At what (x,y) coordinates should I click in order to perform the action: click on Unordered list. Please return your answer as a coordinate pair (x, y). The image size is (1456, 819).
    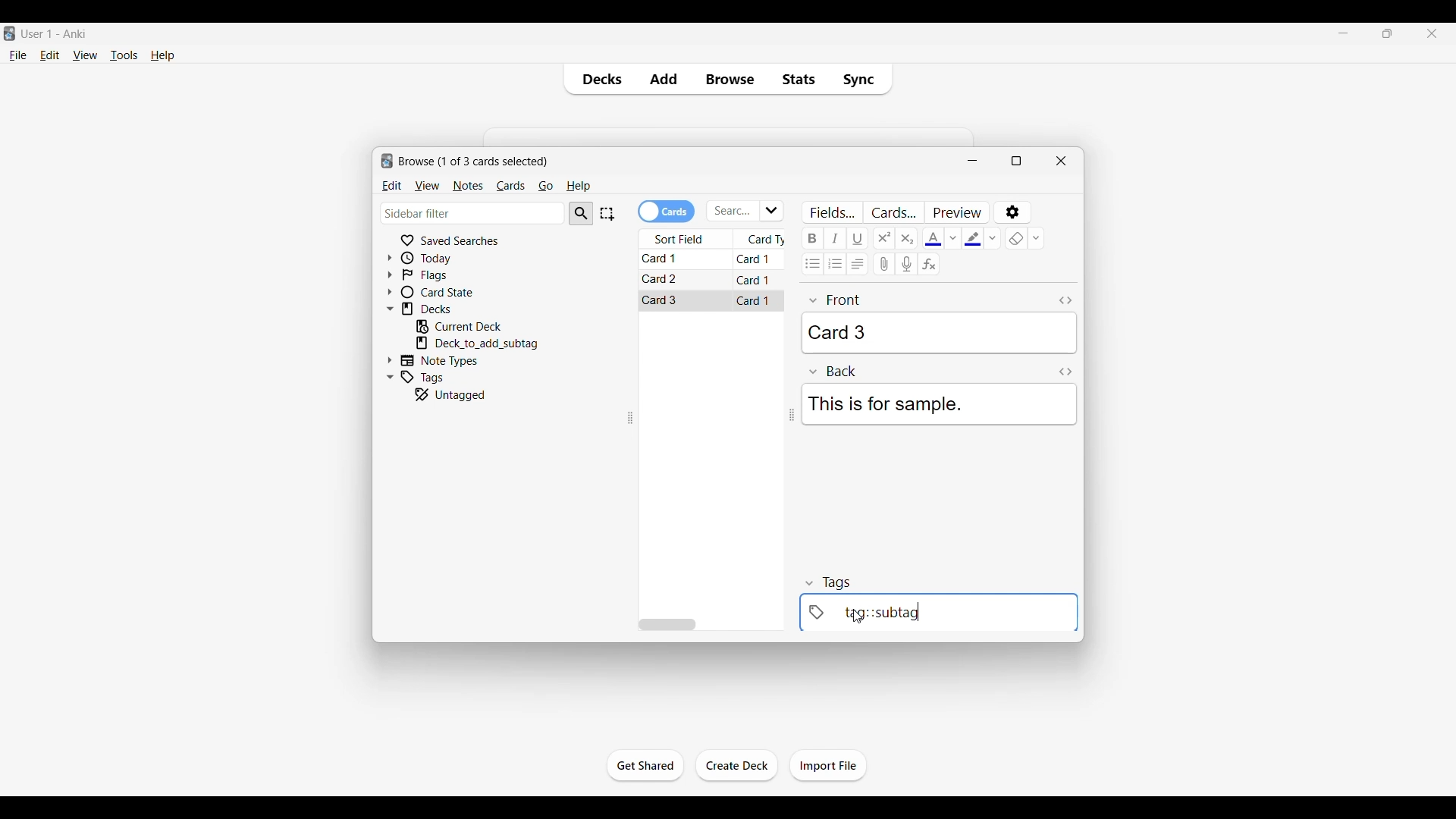
    Looking at the image, I should click on (812, 264).